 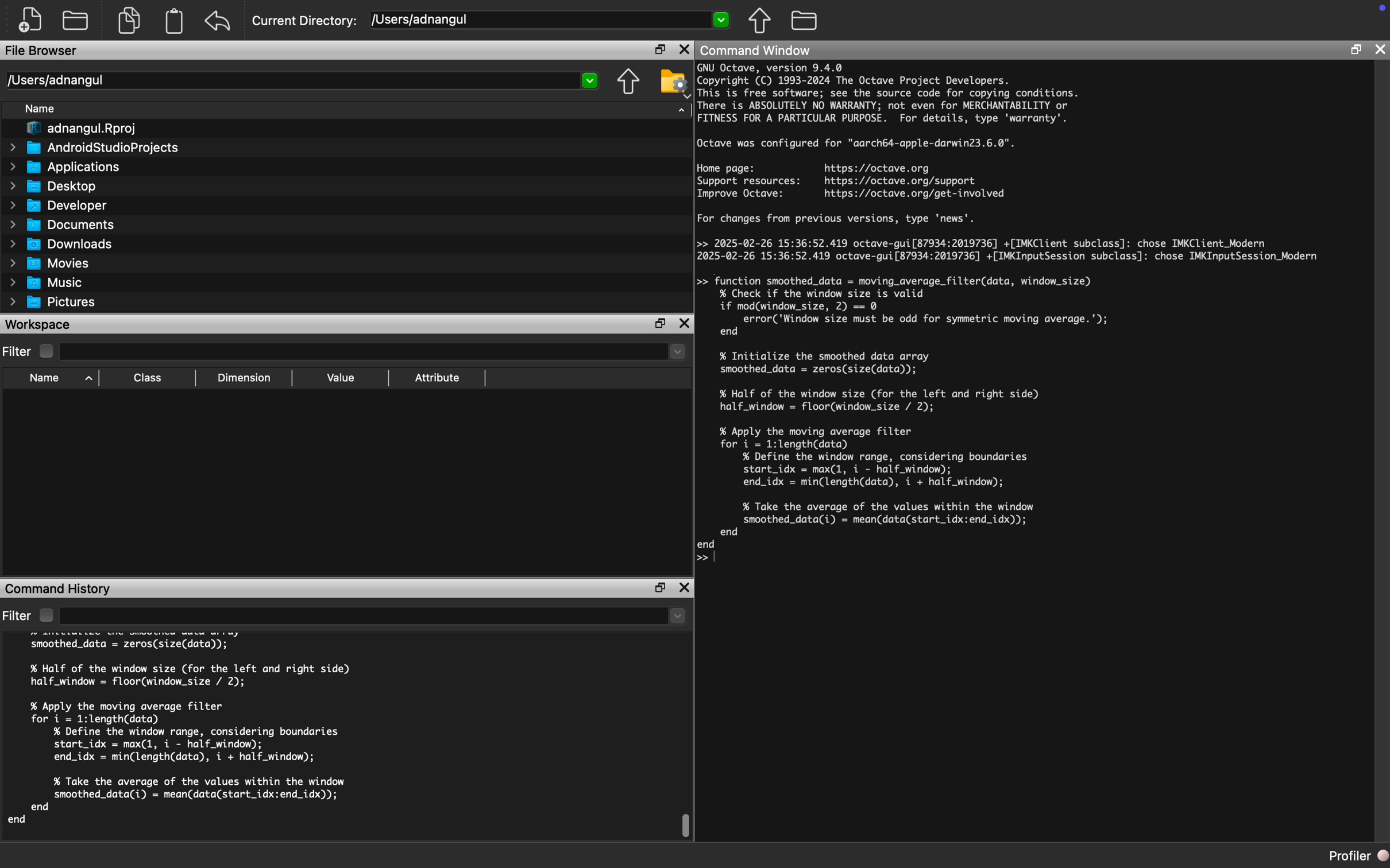 I want to click on Dropdown, so click(x=372, y=617).